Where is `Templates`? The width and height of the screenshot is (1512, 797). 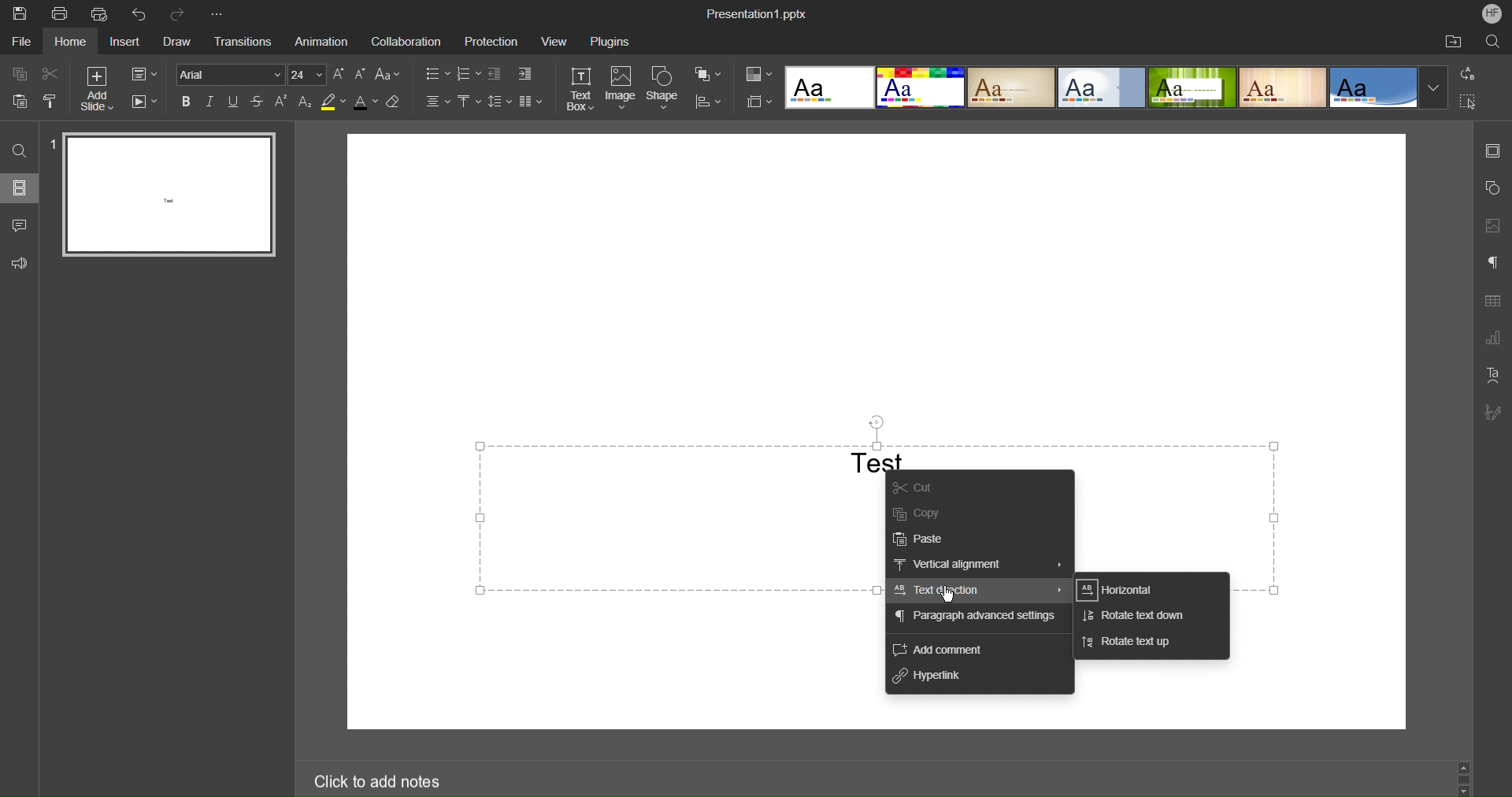
Templates is located at coordinates (1114, 87).